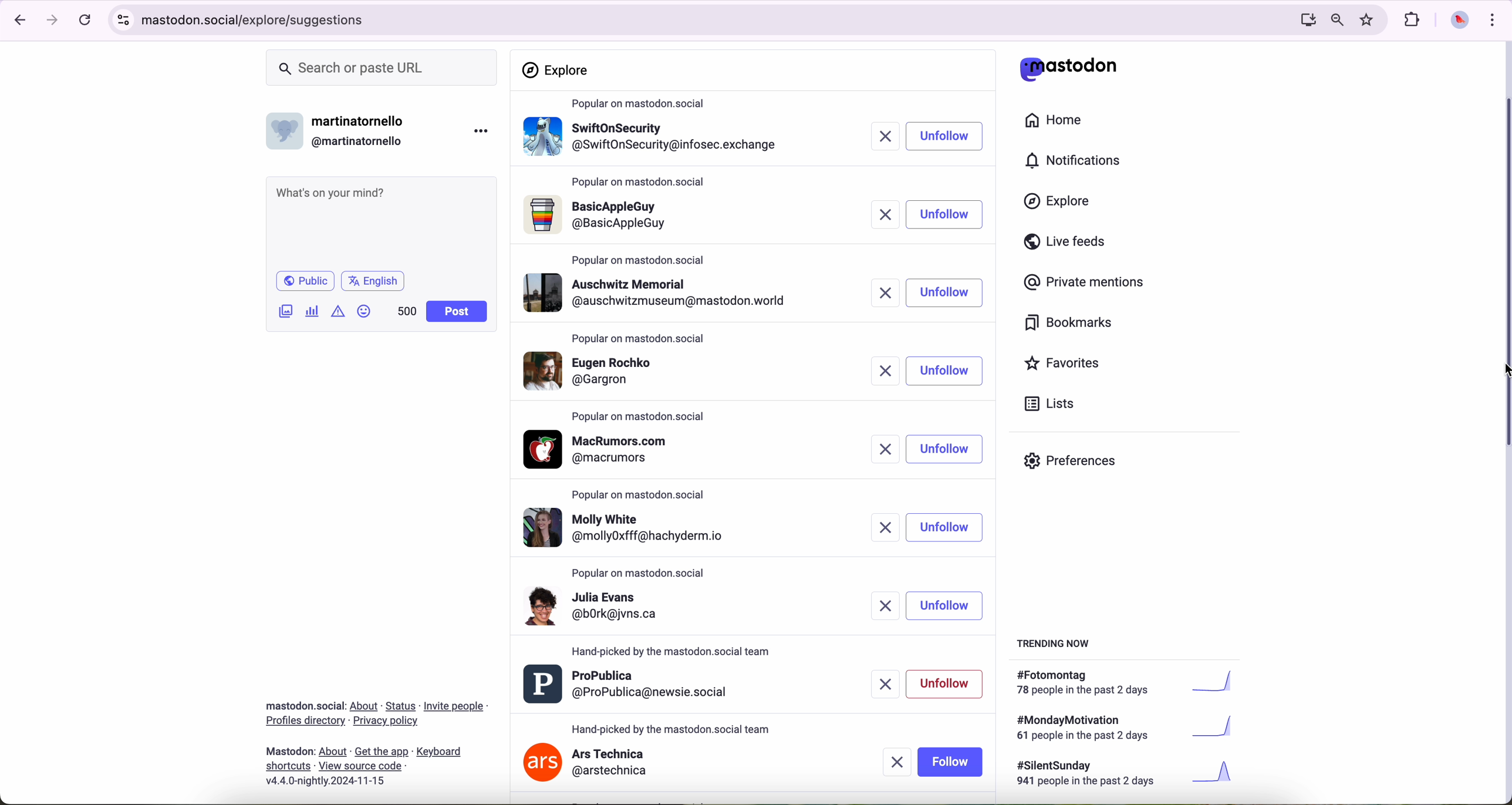 This screenshot has width=1512, height=805. What do you see at coordinates (633, 612) in the screenshot?
I see `profile` at bounding box center [633, 612].